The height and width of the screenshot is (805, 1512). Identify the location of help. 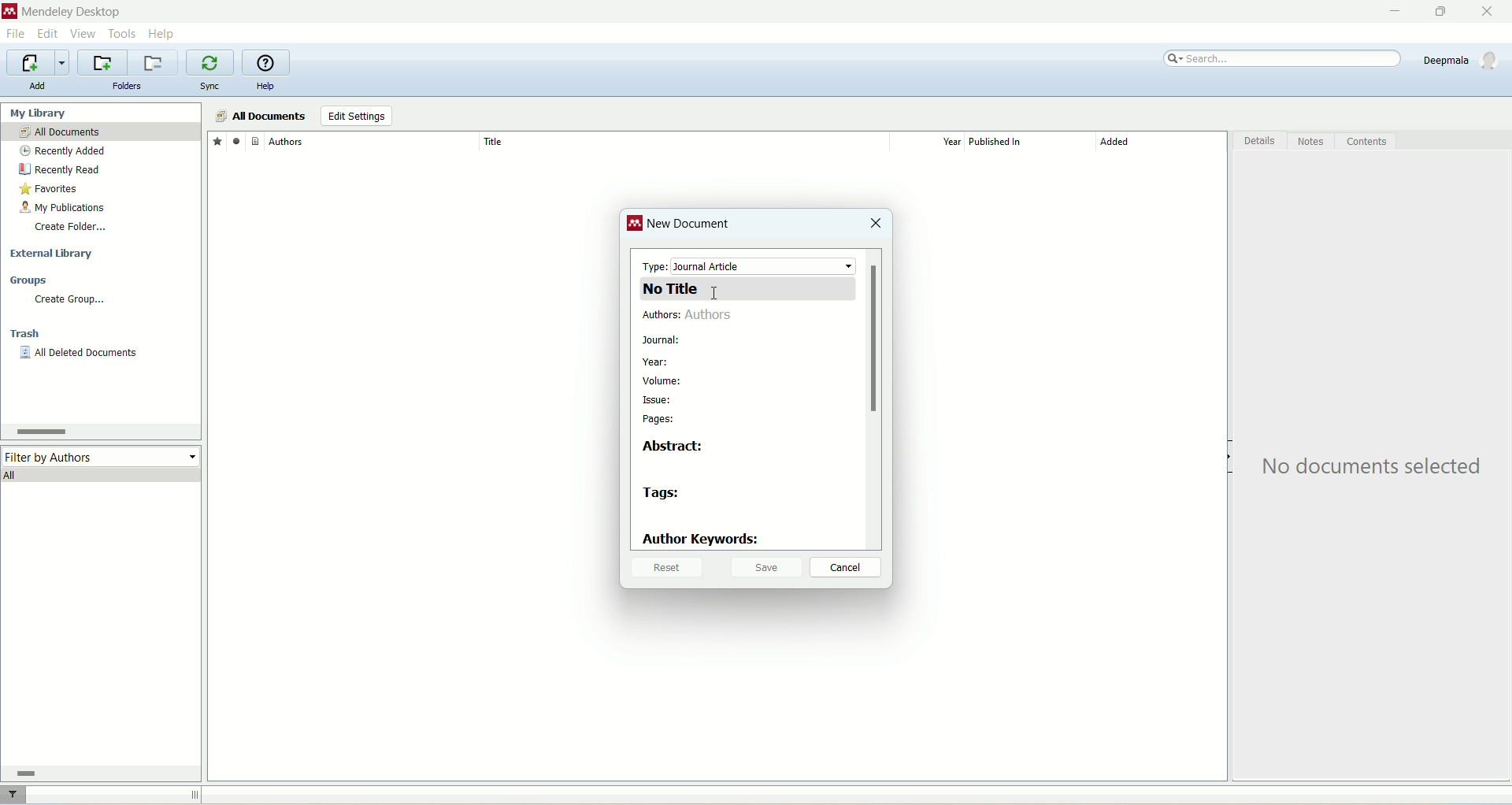
(163, 33).